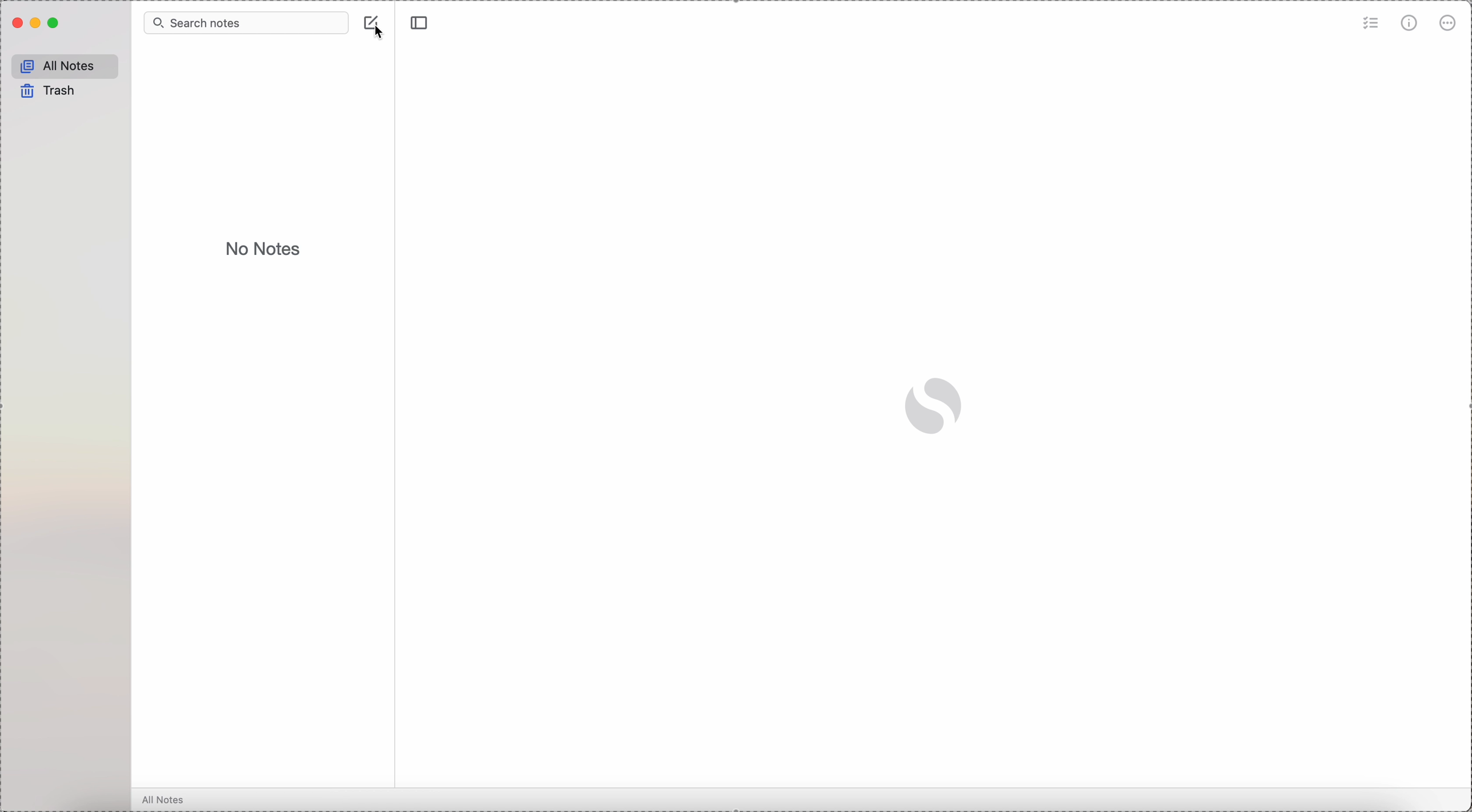  Describe the element at coordinates (419, 23) in the screenshot. I see `toggle sidebar` at that location.